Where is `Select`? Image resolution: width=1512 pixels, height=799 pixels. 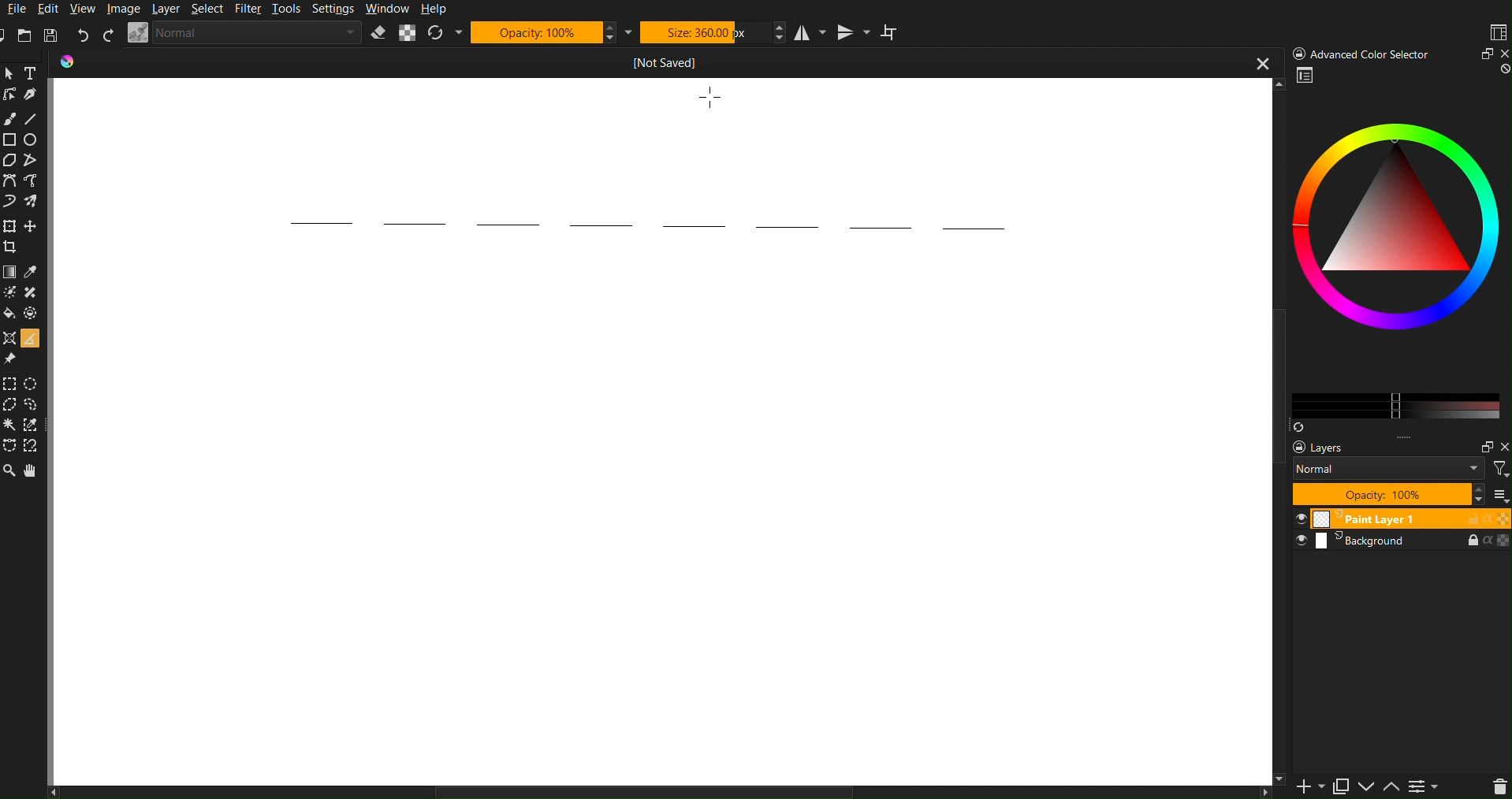 Select is located at coordinates (210, 9).